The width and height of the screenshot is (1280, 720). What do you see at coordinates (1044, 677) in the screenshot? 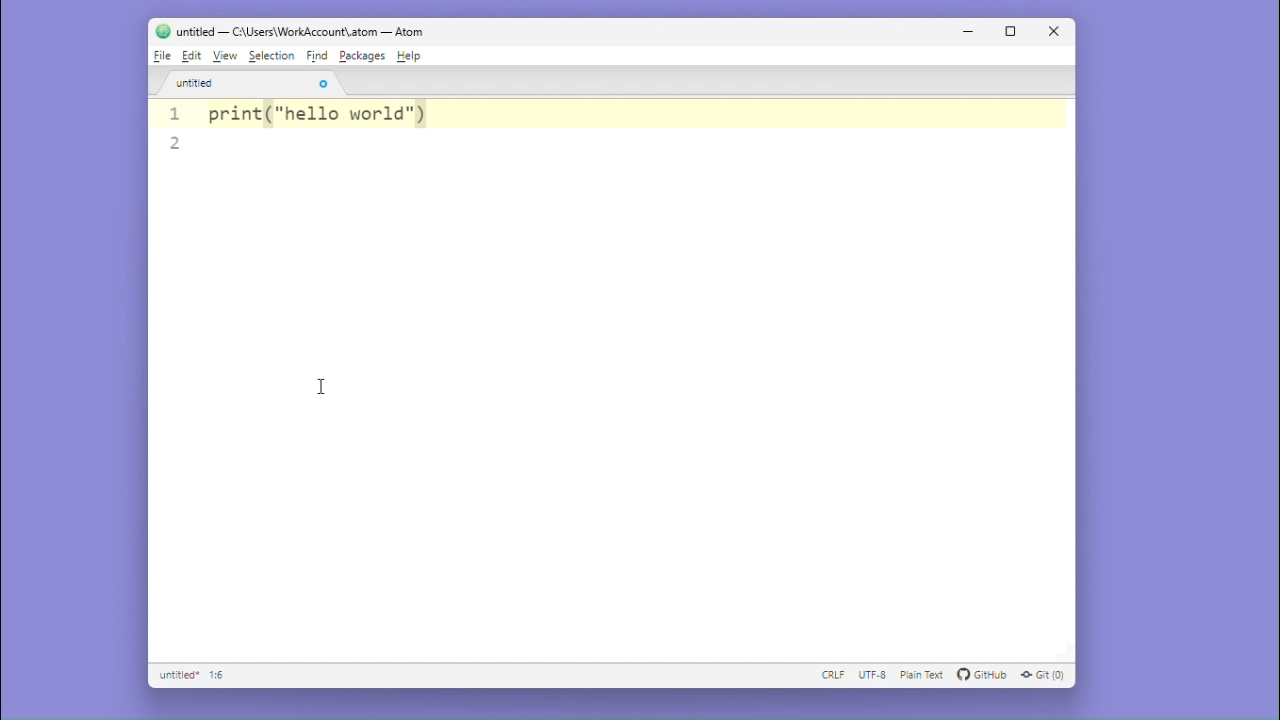
I see `Git (0)` at bounding box center [1044, 677].